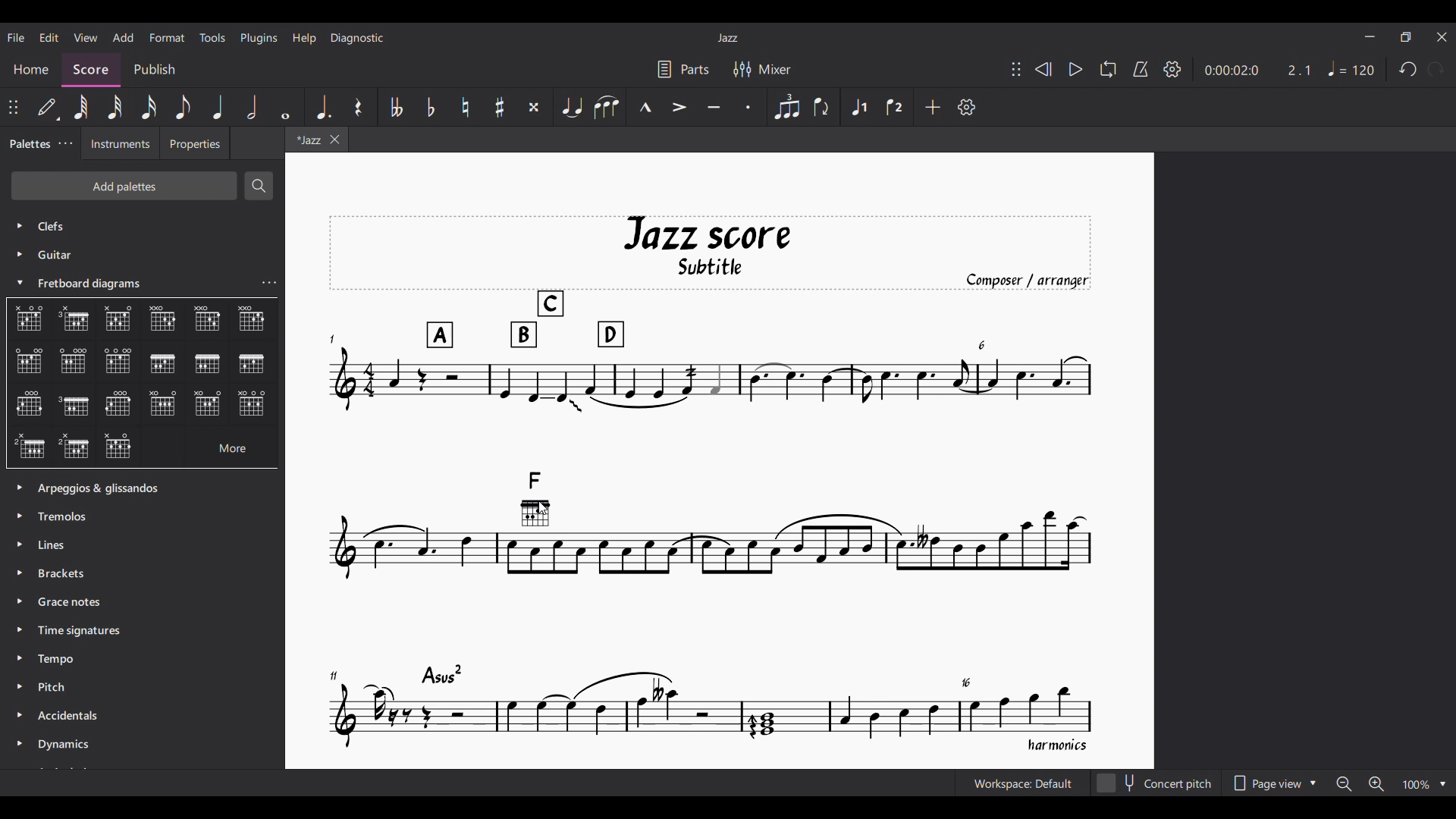 The image size is (1456, 819). I want to click on Add, so click(933, 107).